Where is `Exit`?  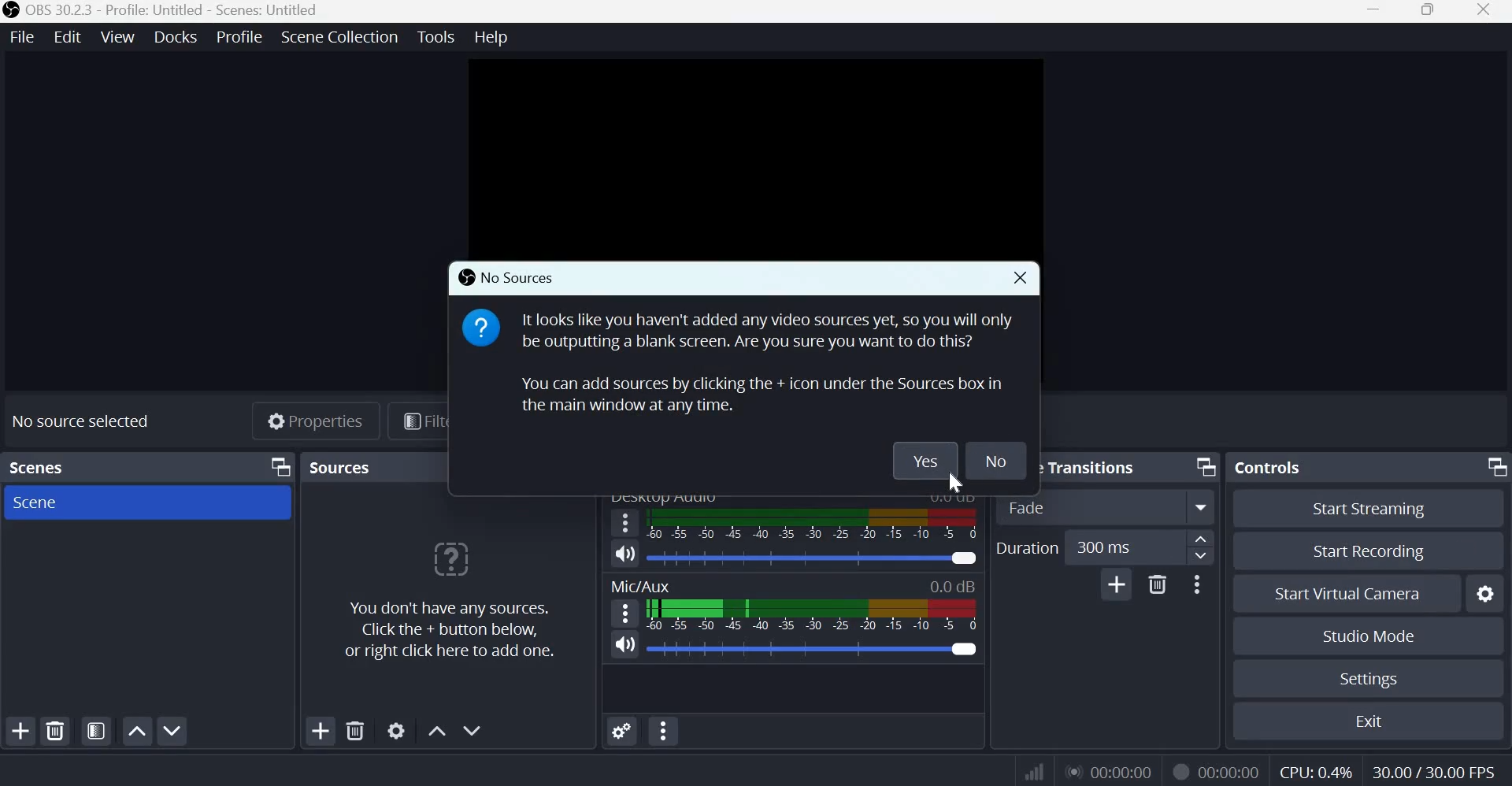 Exit is located at coordinates (1362, 721).